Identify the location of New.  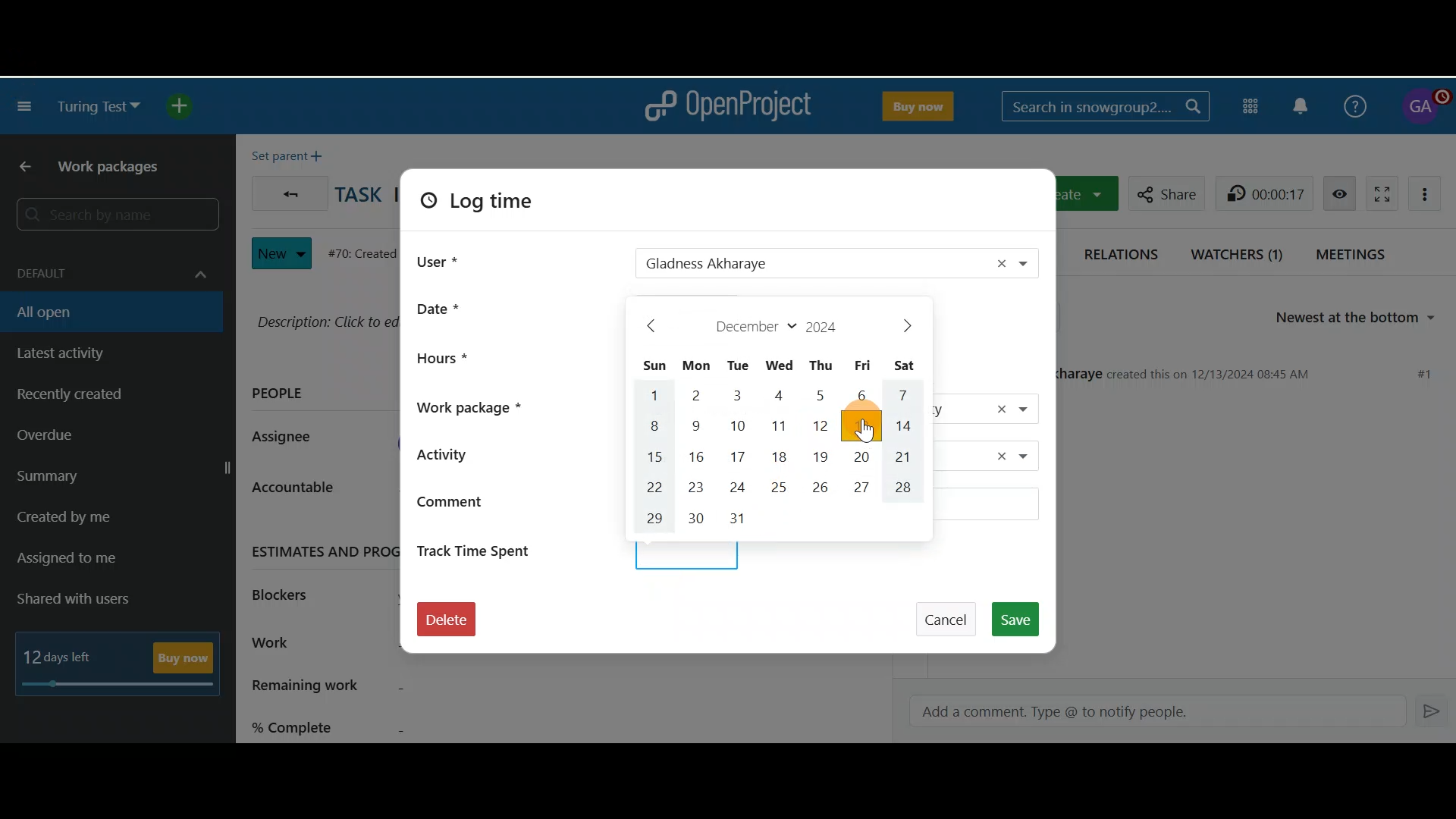
(281, 249).